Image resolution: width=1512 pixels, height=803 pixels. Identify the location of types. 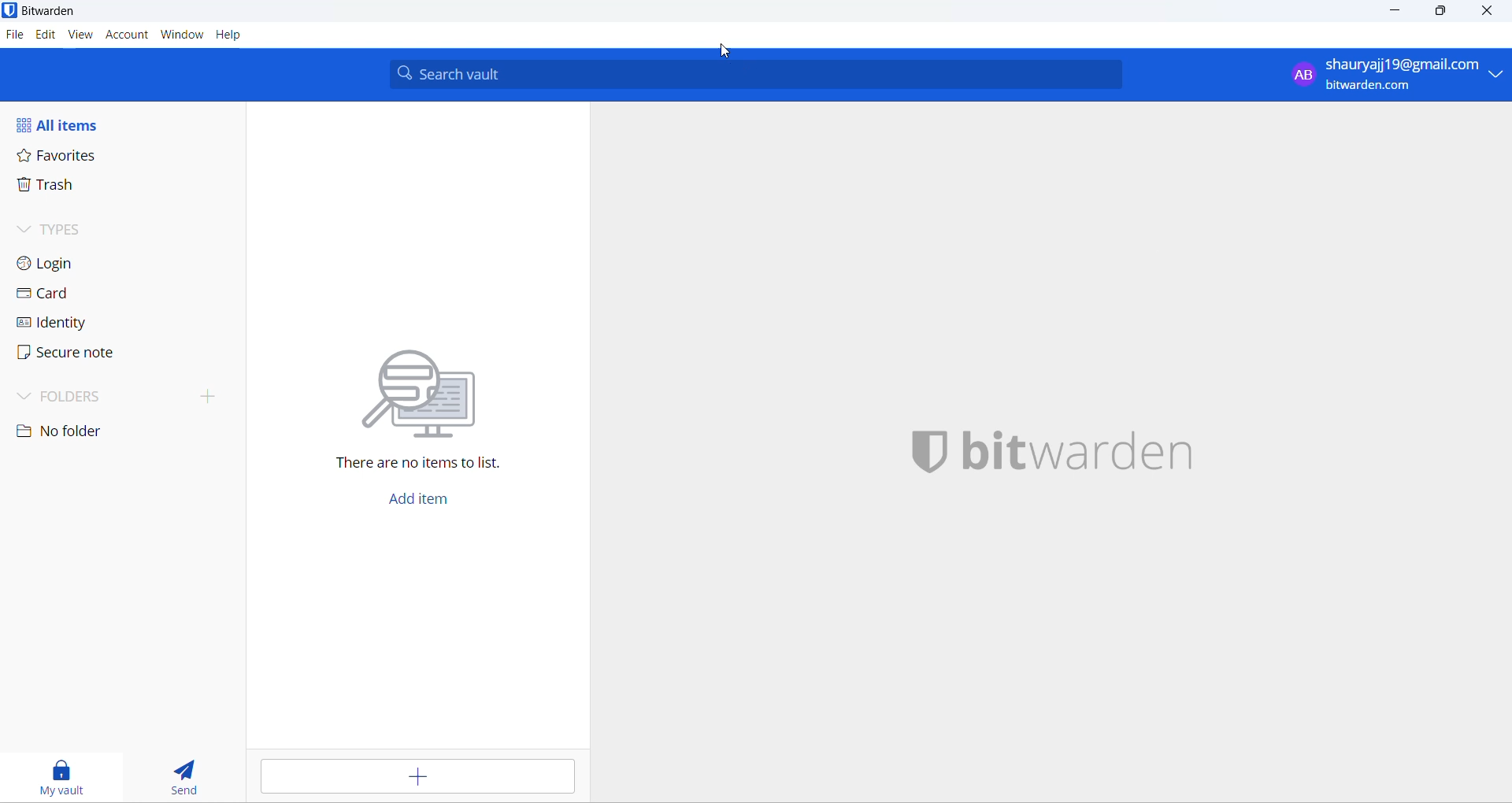
(69, 231).